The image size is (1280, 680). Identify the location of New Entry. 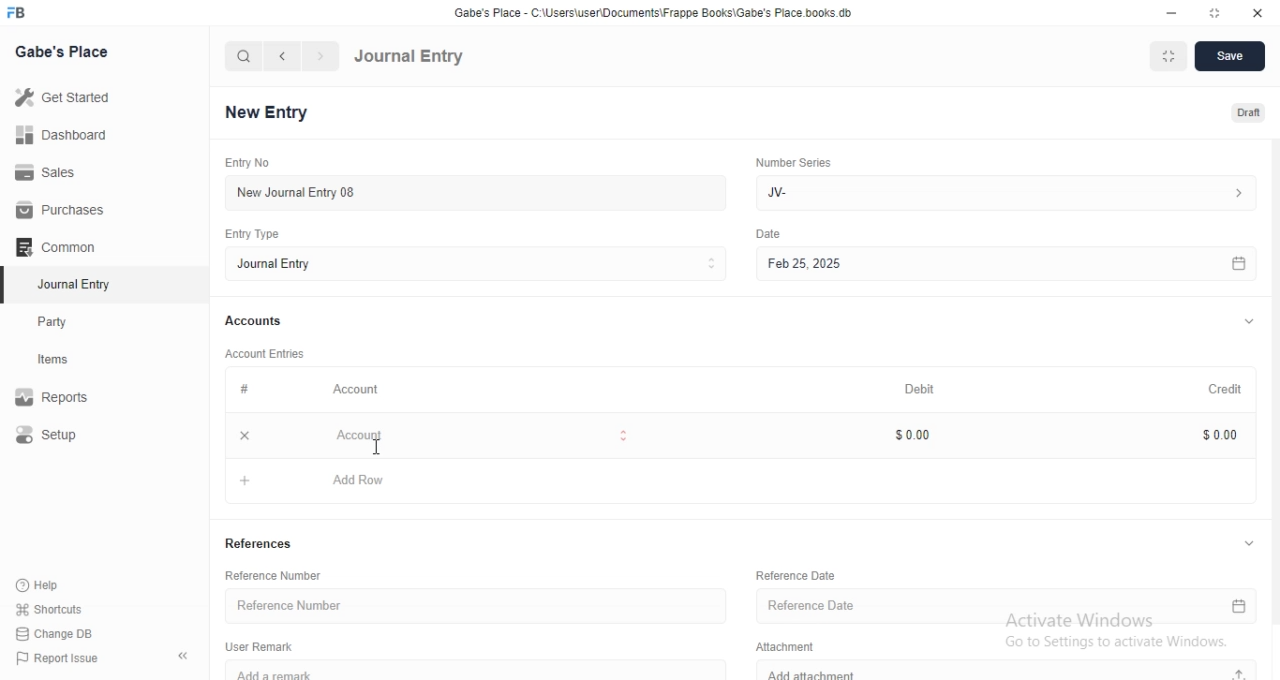
(266, 111).